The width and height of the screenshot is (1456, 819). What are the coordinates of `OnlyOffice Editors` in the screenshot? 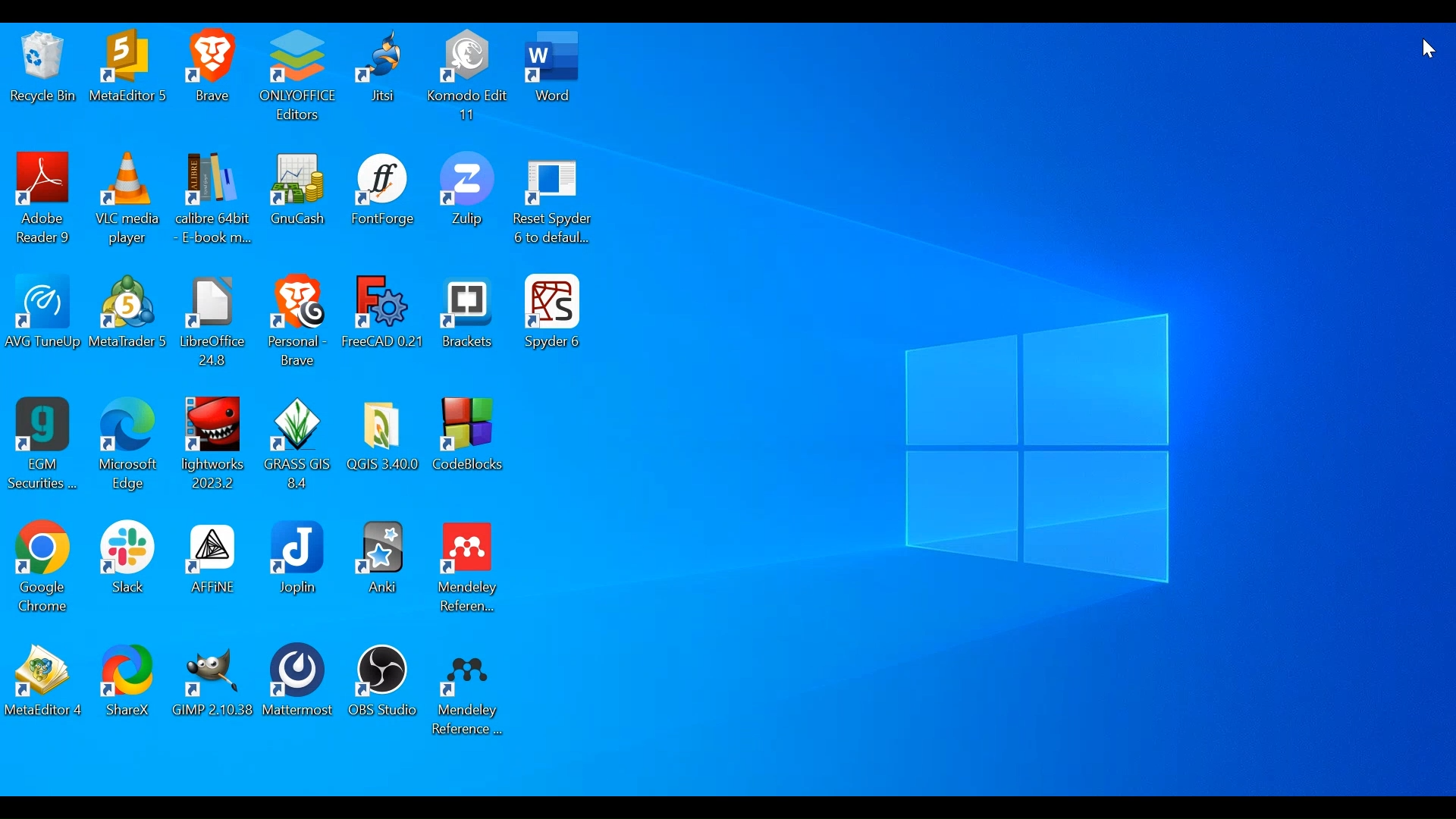 It's located at (297, 77).